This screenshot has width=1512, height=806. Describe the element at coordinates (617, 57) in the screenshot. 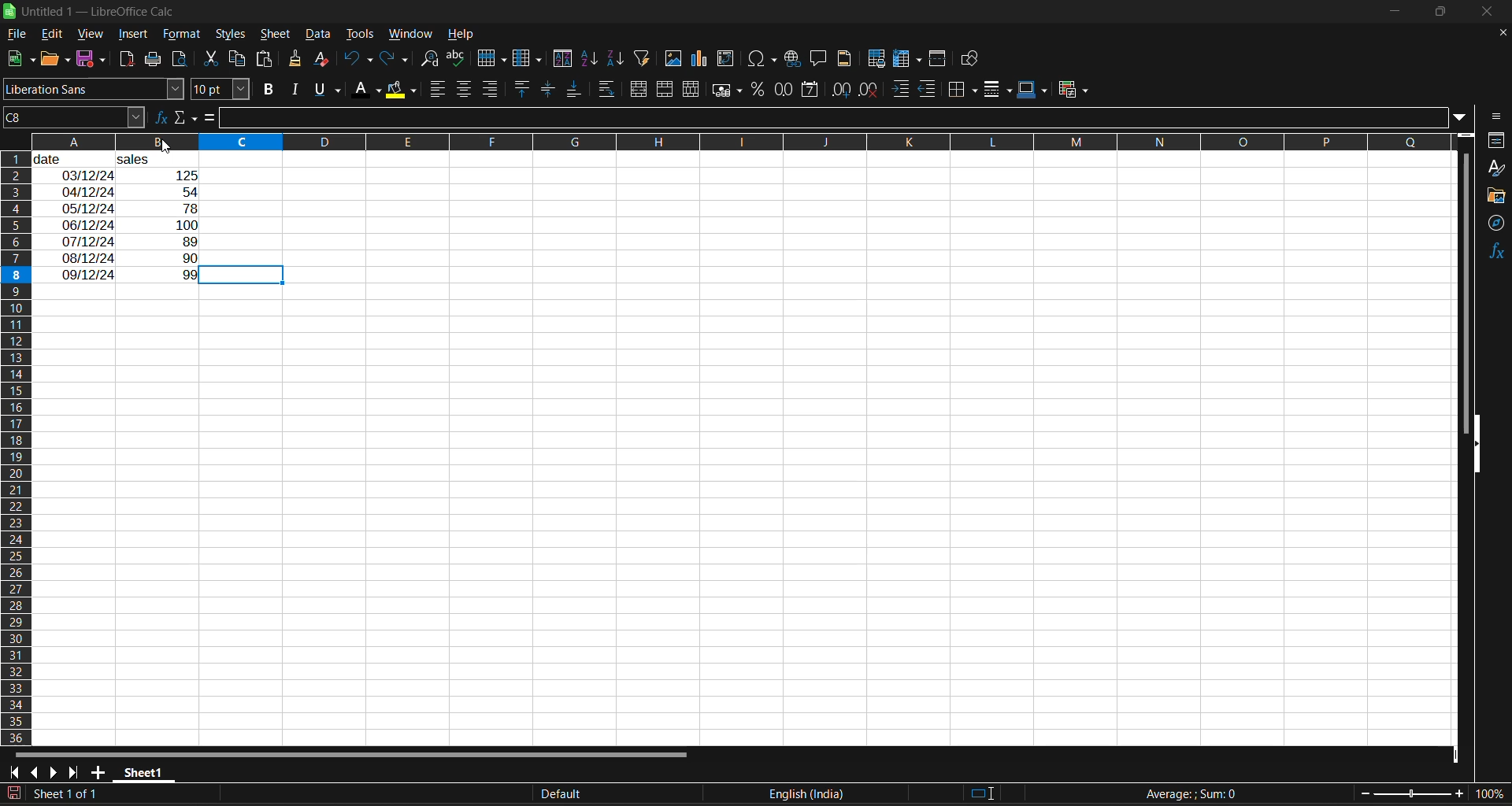

I see `sort descending` at that location.